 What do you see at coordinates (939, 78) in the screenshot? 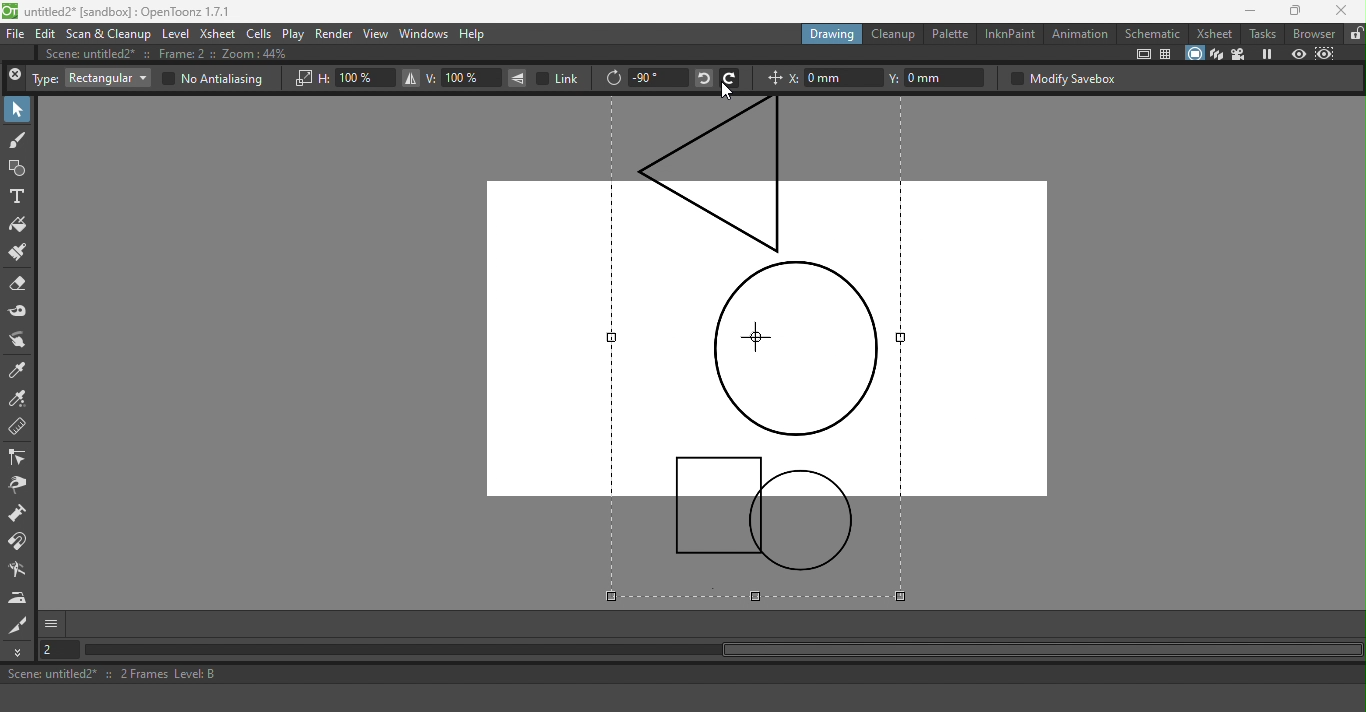
I see `Y: 0mm` at bounding box center [939, 78].